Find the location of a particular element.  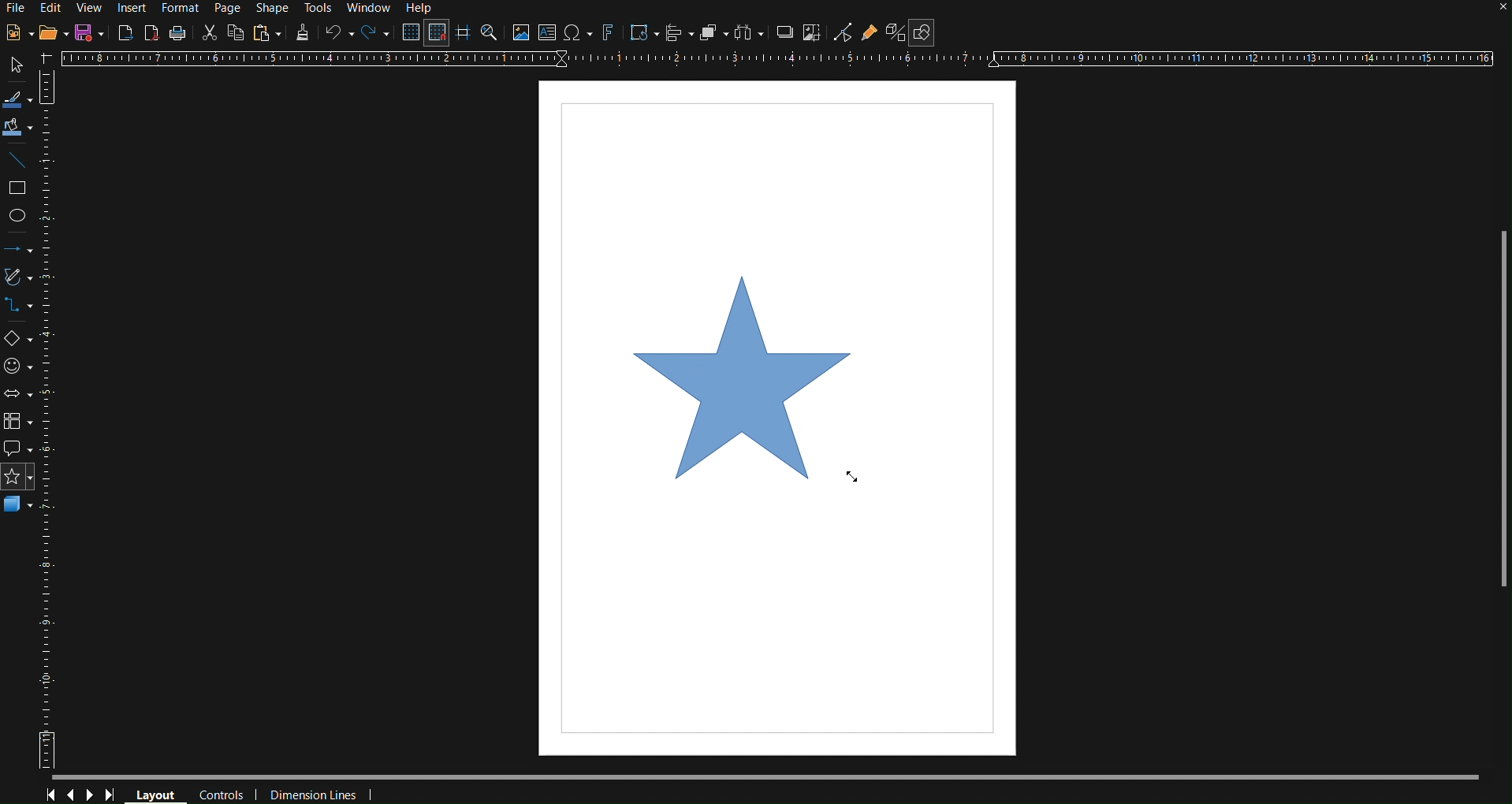

Copy is located at coordinates (234, 33).